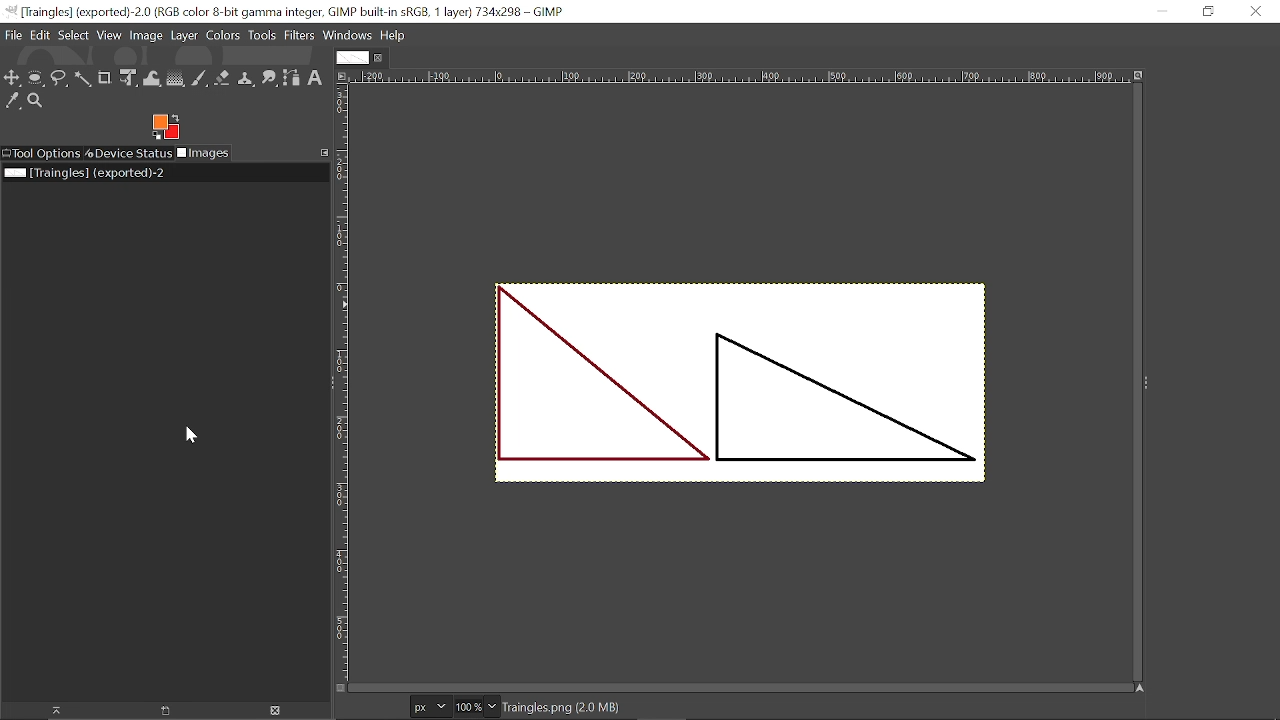  I want to click on Current window, so click(287, 11).